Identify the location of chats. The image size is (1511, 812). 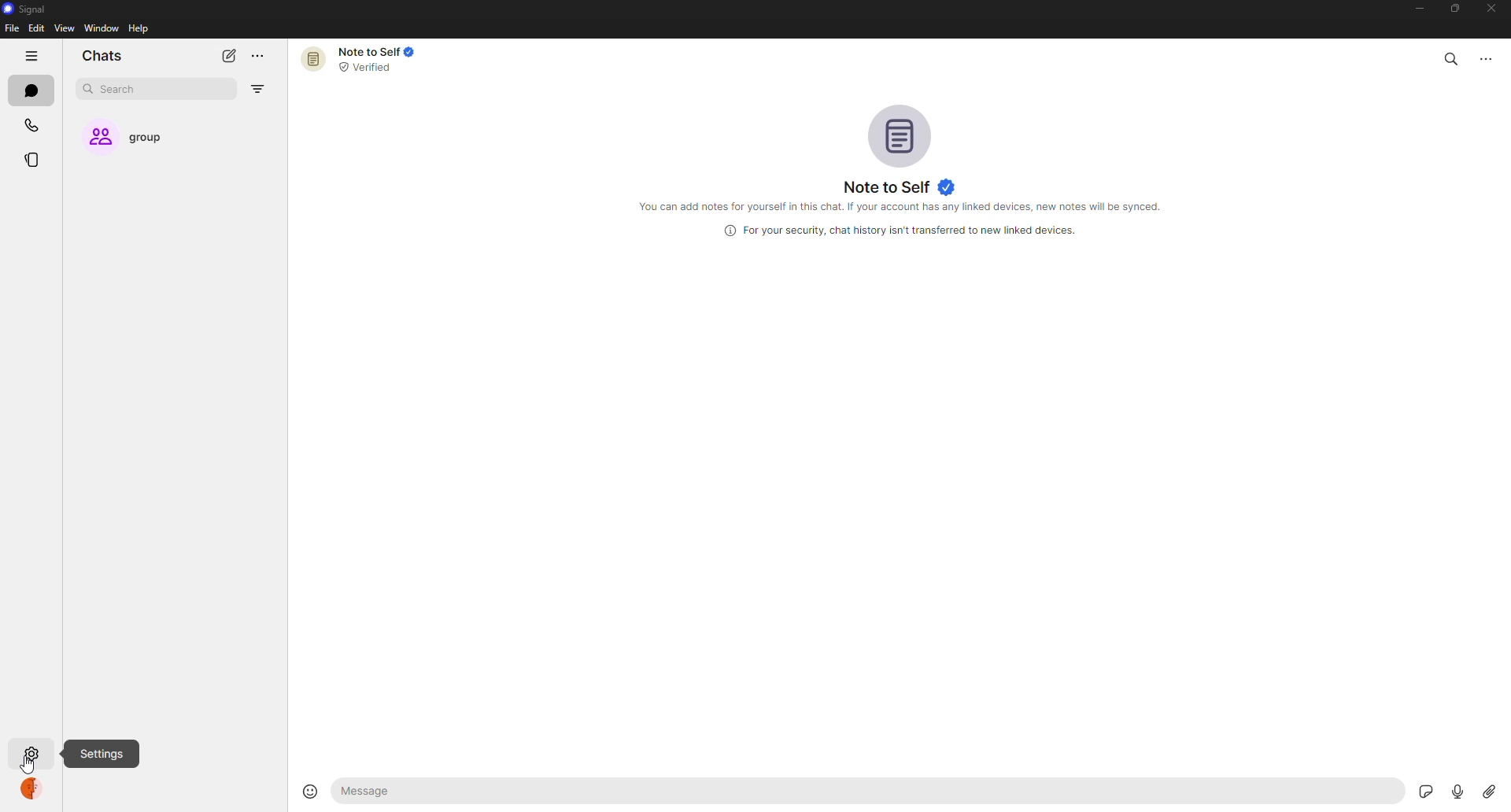
(35, 92).